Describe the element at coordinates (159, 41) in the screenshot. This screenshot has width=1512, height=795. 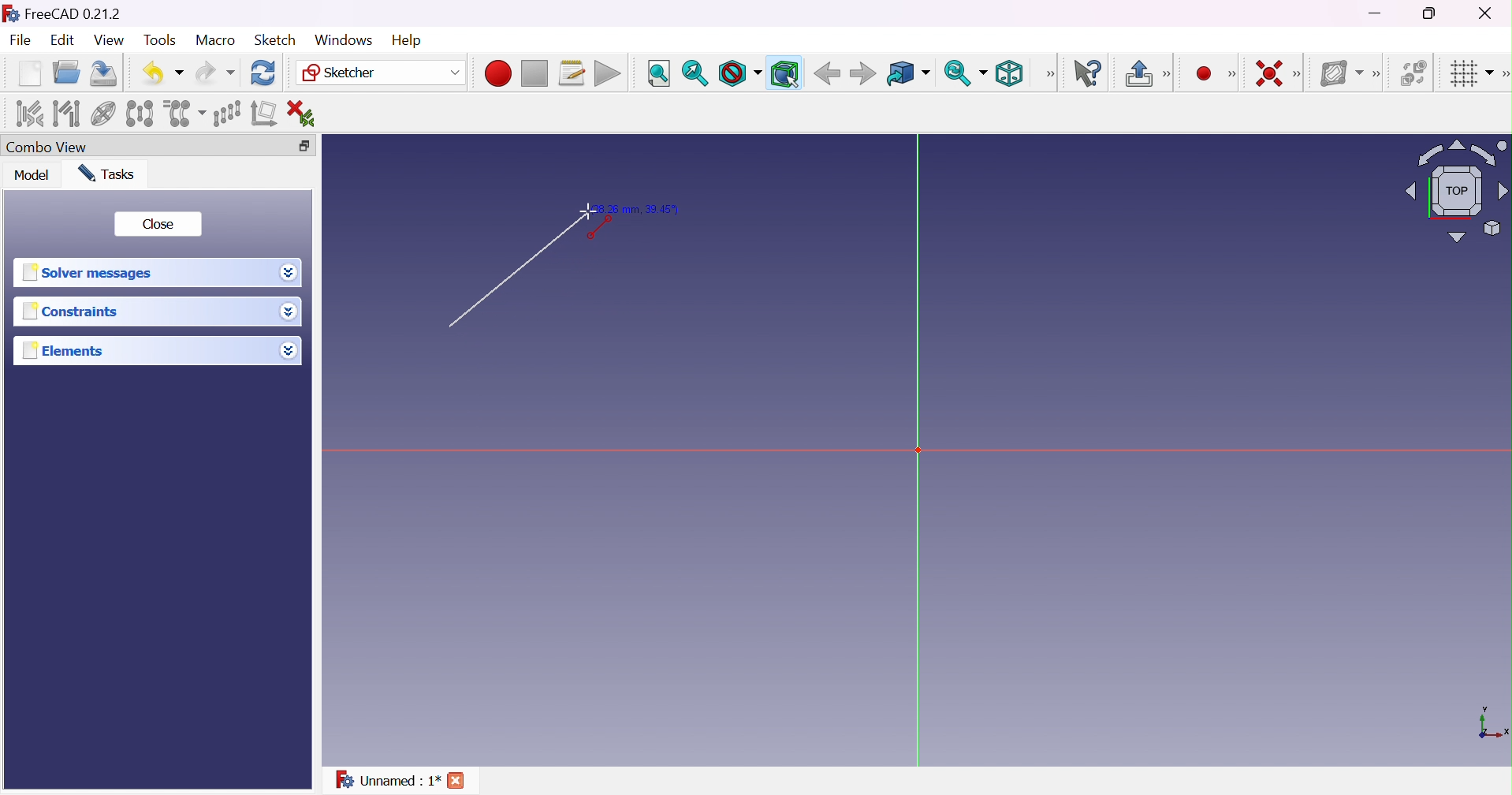
I see `Tools` at that location.